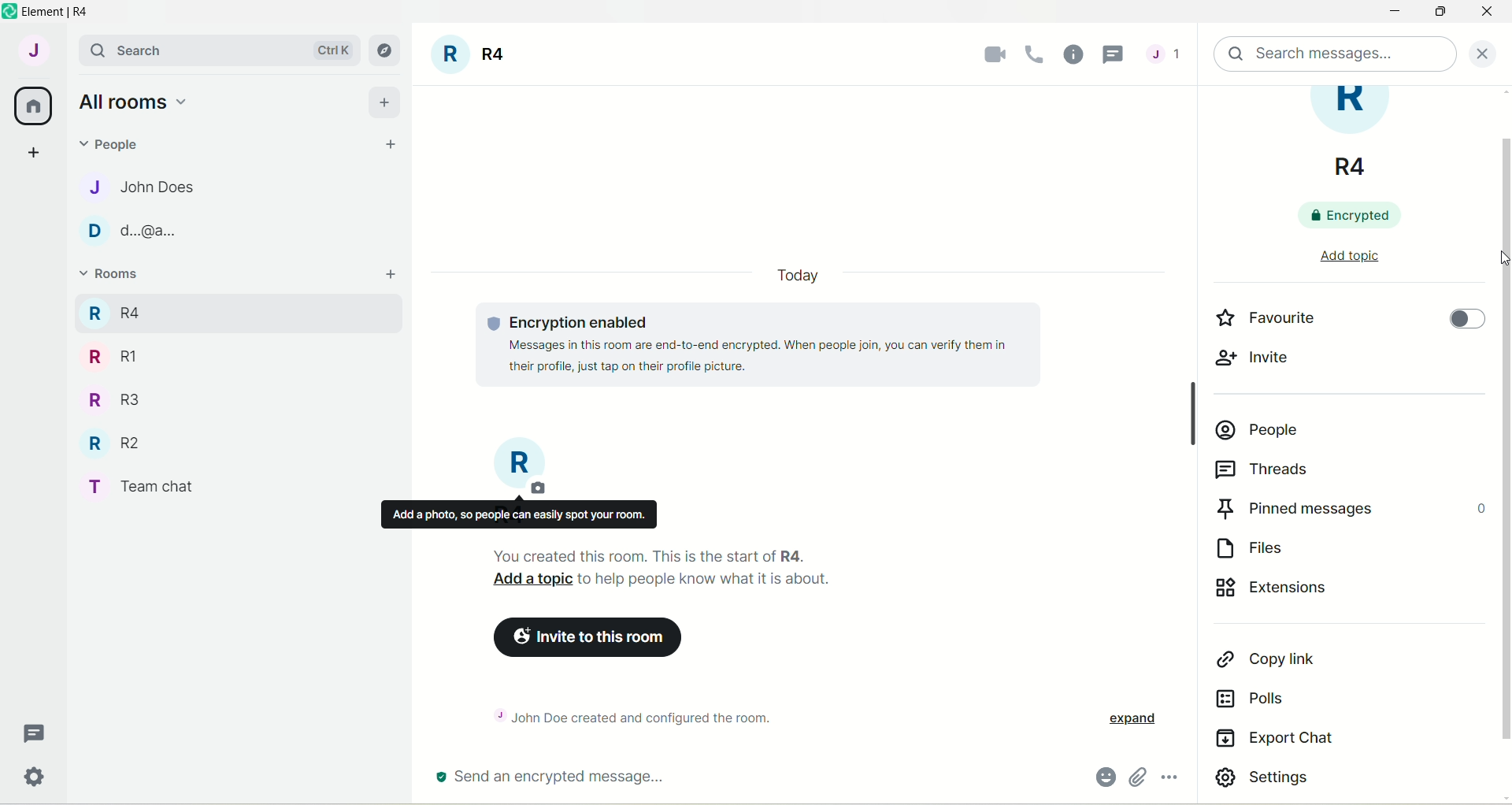 Image resolution: width=1512 pixels, height=805 pixels. Describe the element at coordinates (1172, 779) in the screenshot. I see `options` at that location.